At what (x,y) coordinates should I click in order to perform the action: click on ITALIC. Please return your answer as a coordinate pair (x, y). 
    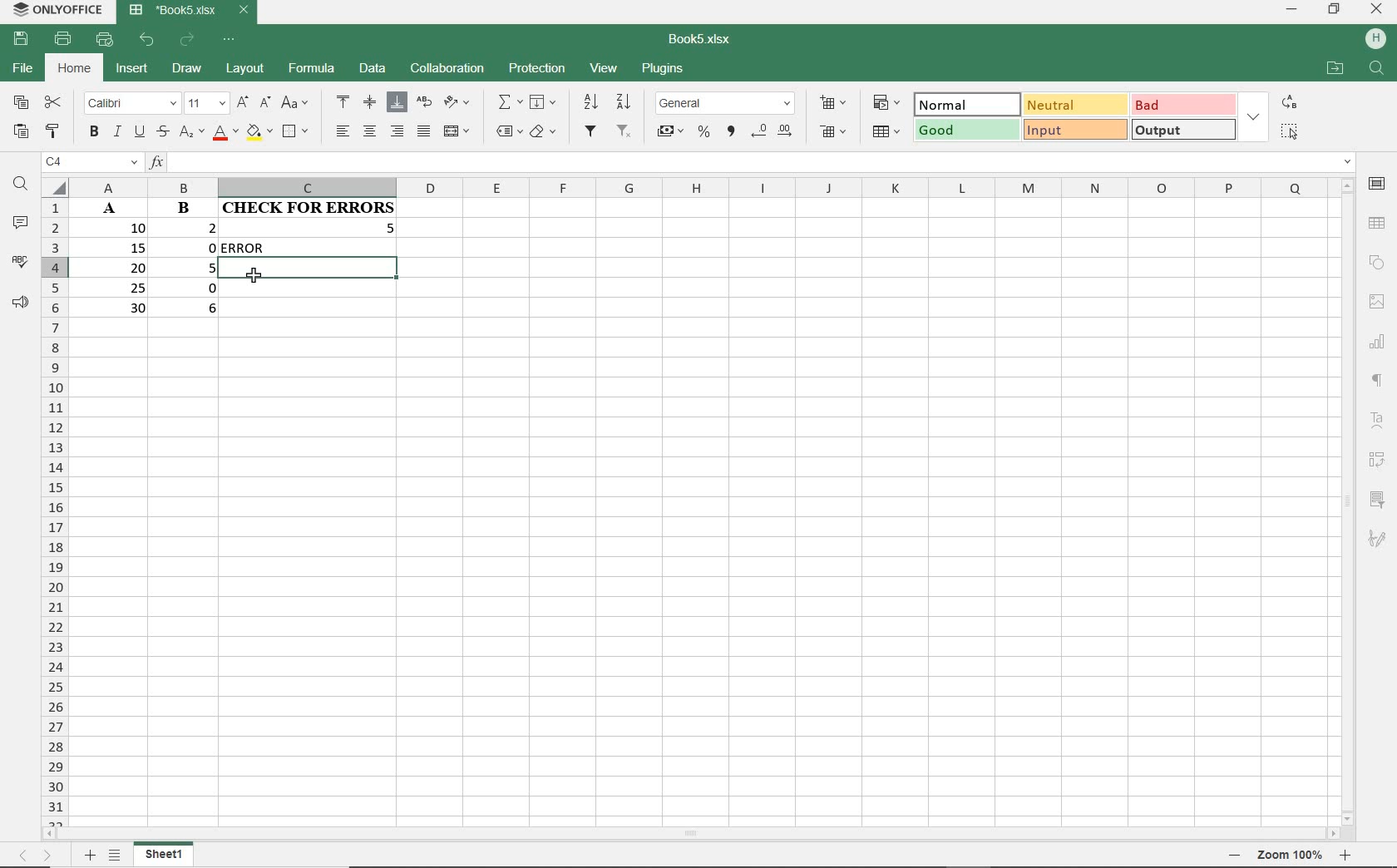
    Looking at the image, I should click on (116, 133).